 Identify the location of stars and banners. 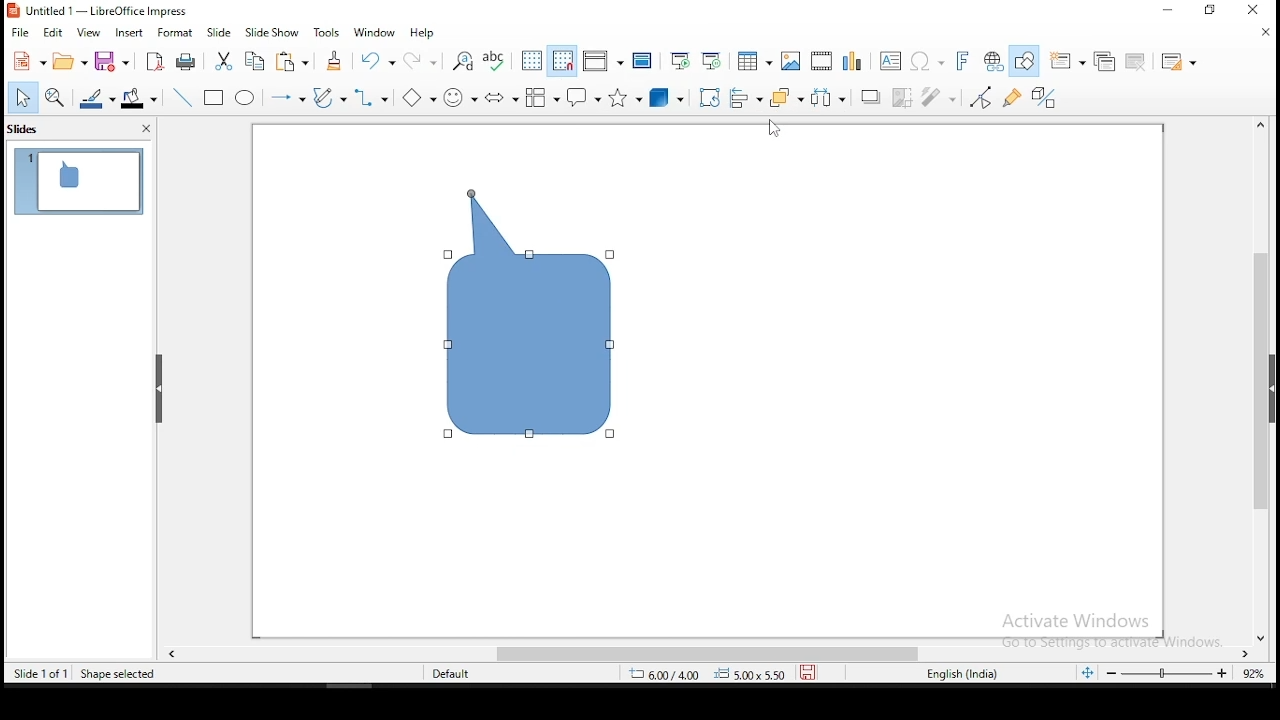
(622, 98).